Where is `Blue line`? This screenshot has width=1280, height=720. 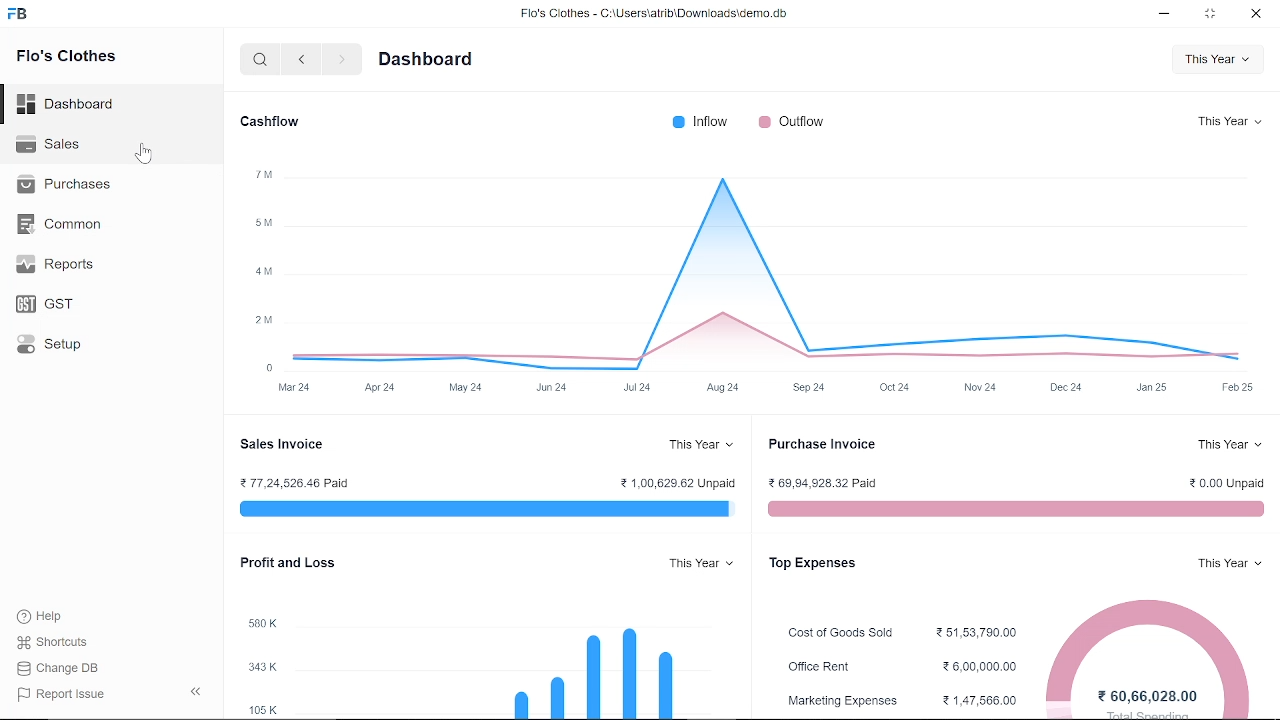
Blue line is located at coordinates (483, 510).